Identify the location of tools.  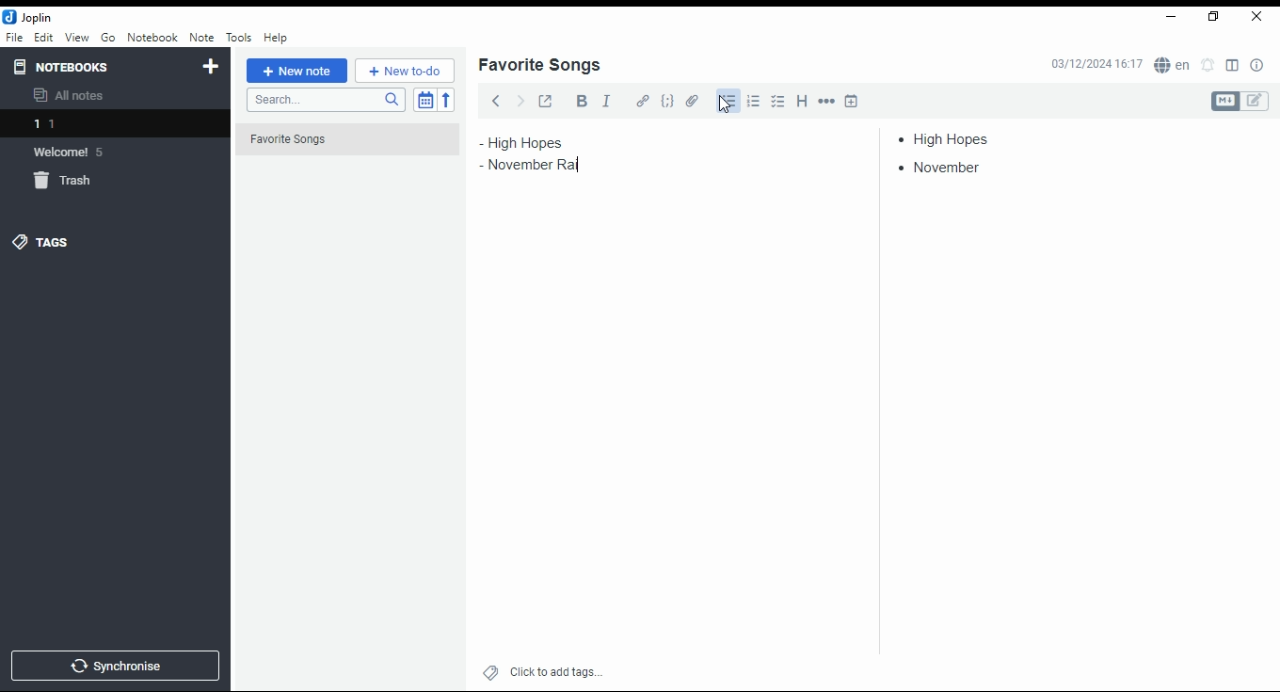
(240, 38).